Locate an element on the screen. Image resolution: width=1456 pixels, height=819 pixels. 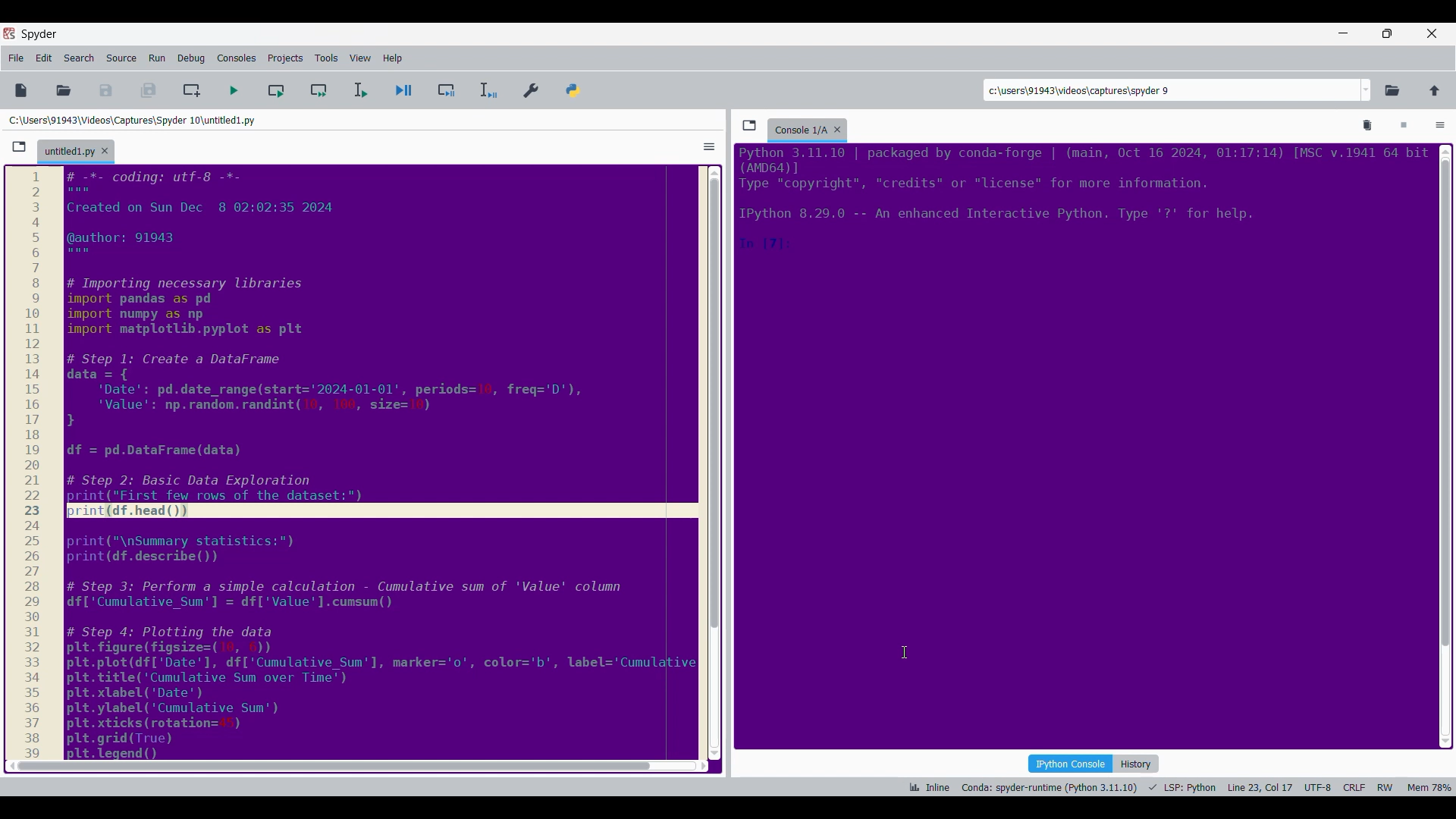
Software logo is located at coordinates (9, 33).